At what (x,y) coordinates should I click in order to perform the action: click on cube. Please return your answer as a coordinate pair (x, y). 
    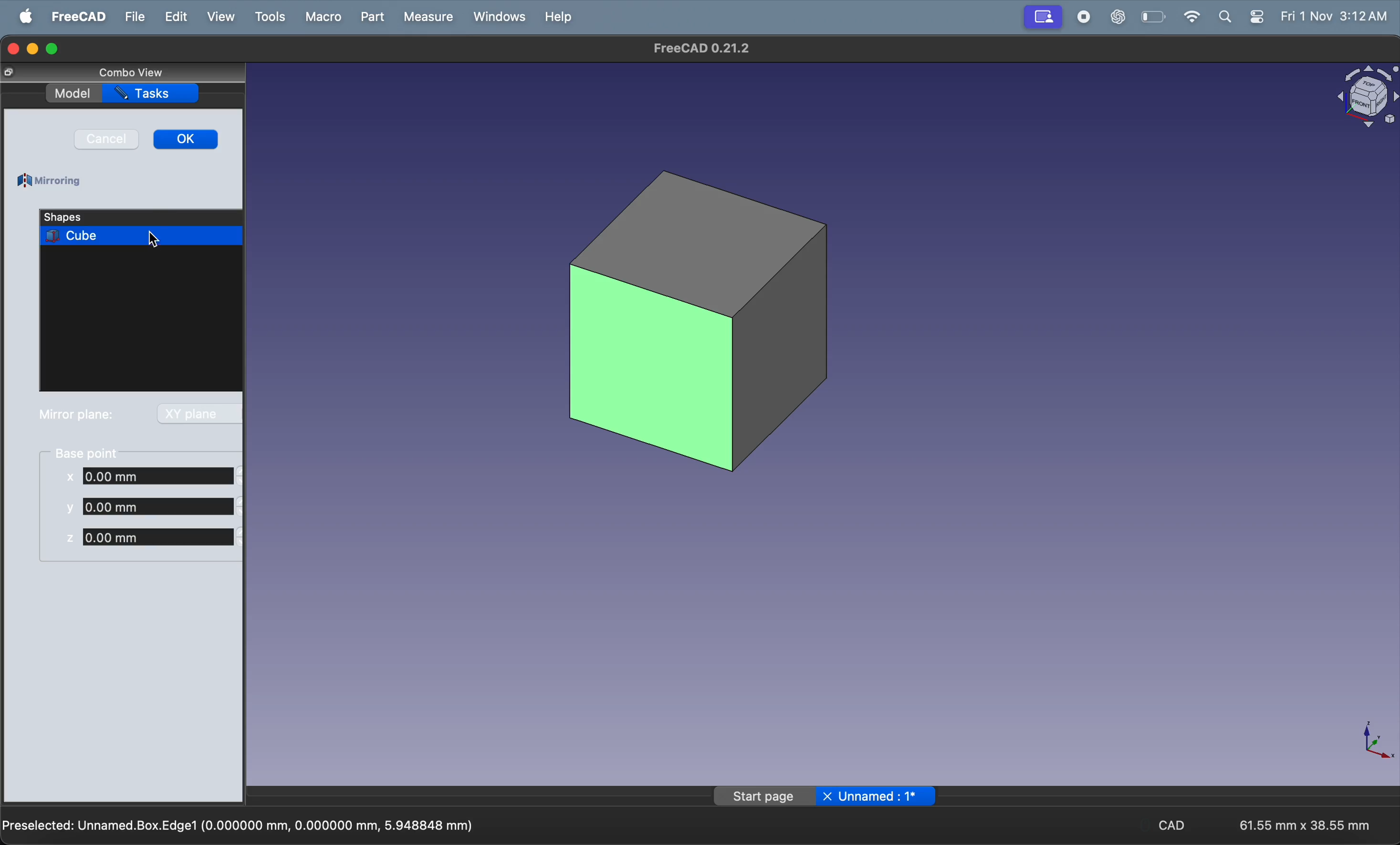
    Looking at the image, I should click on (142, 236).